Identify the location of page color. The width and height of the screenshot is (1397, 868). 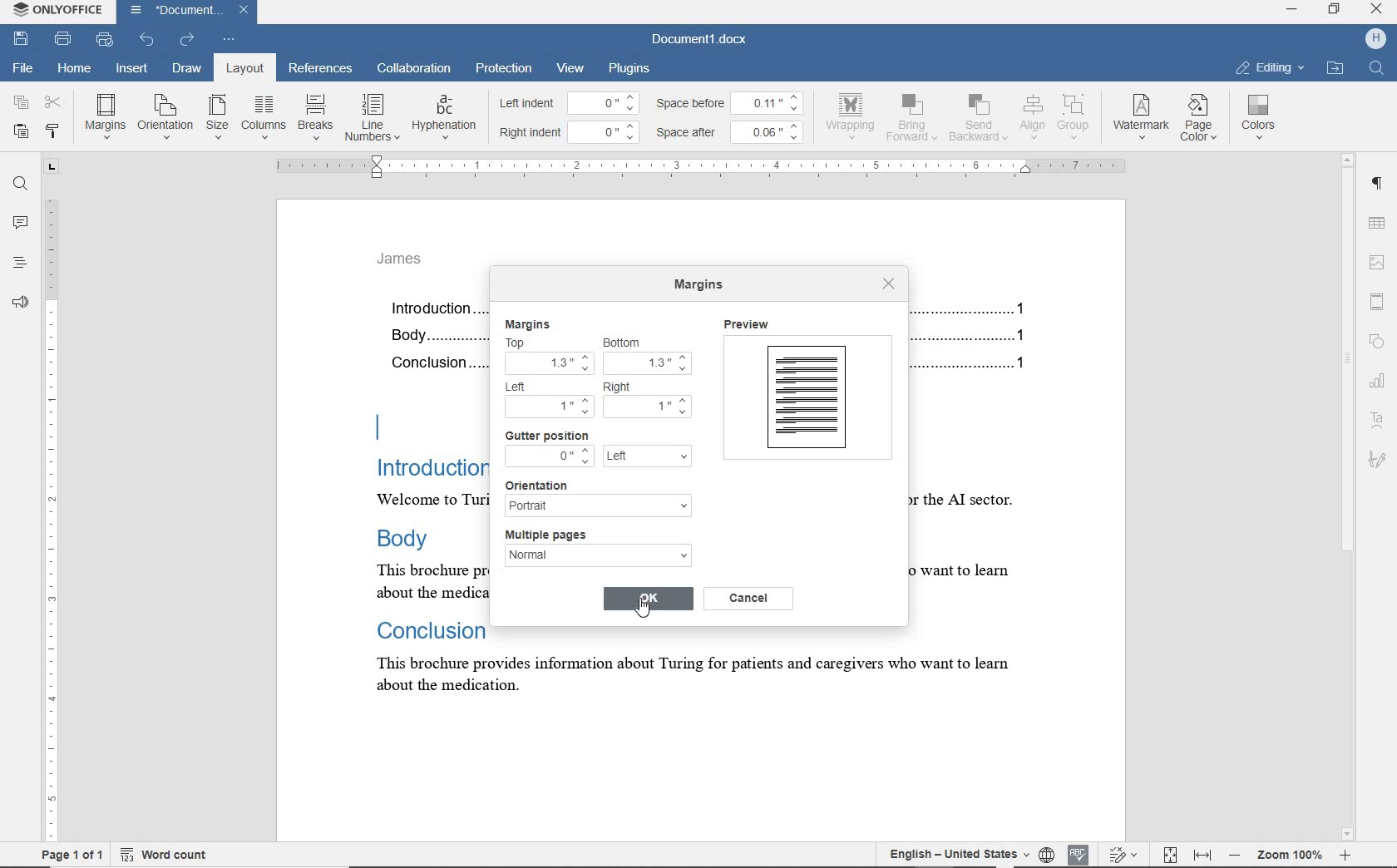
(1202, 120).